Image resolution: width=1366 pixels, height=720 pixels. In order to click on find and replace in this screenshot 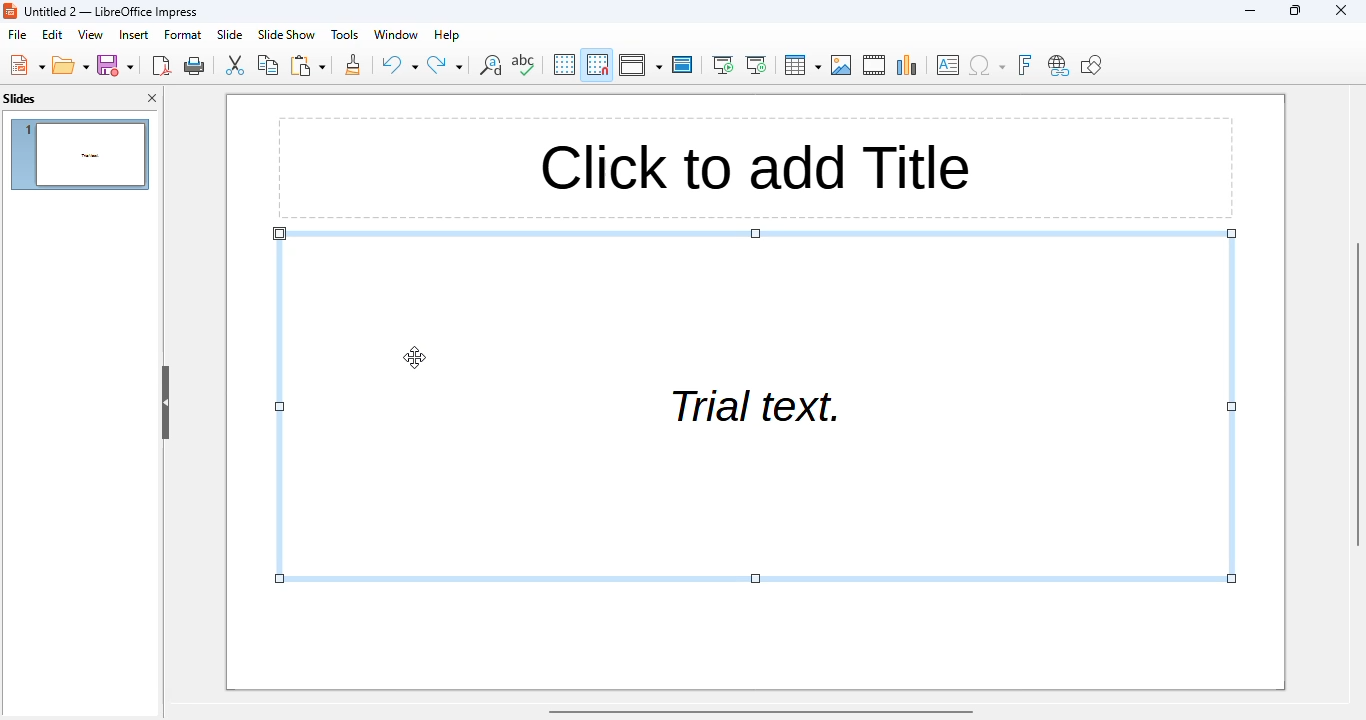, I will do `click(489, 65)`.